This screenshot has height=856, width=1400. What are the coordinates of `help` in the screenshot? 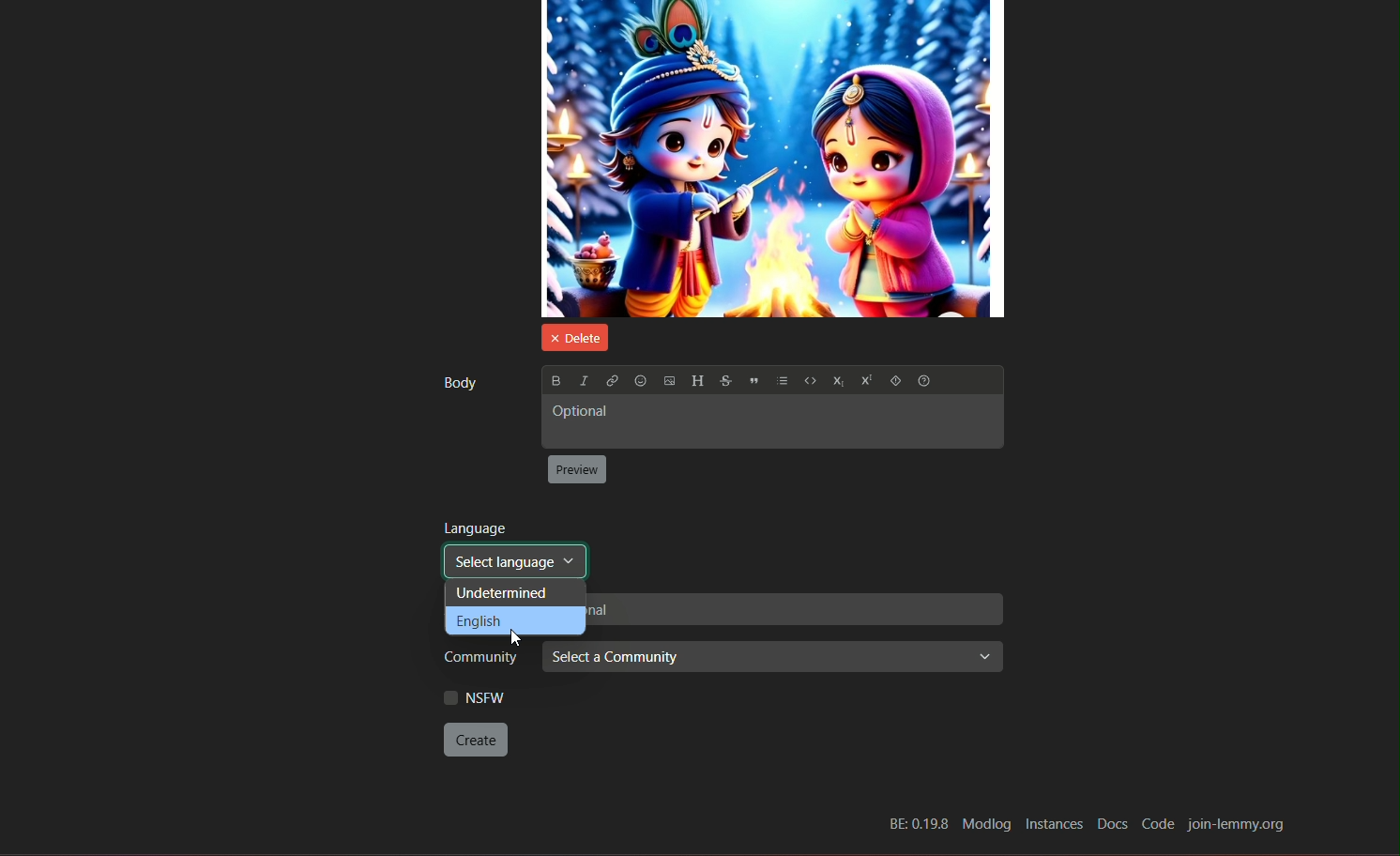 It's located at (927, 382).